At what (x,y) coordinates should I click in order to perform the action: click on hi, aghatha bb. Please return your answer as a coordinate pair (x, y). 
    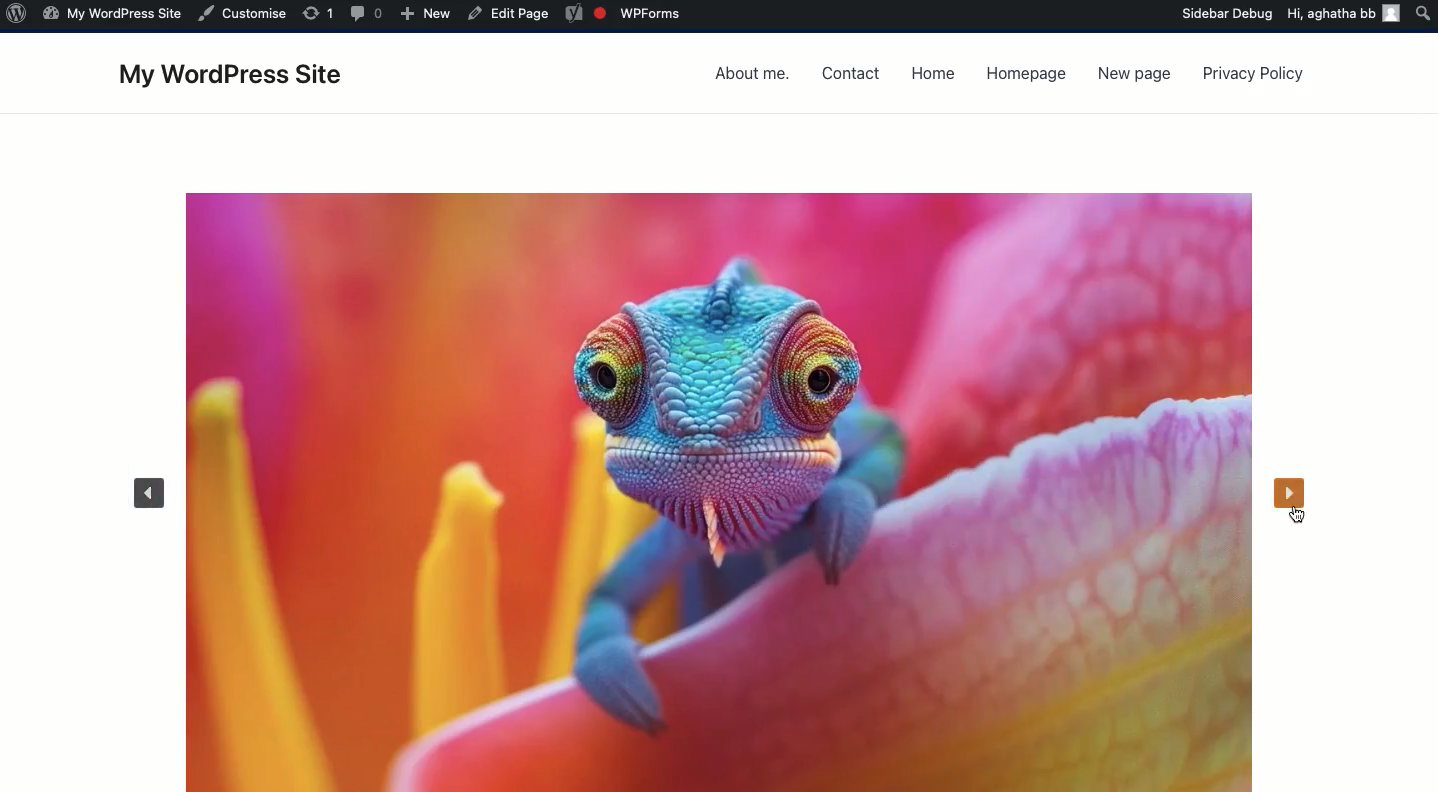
    Looking at the image, I should click on (1332, 17).